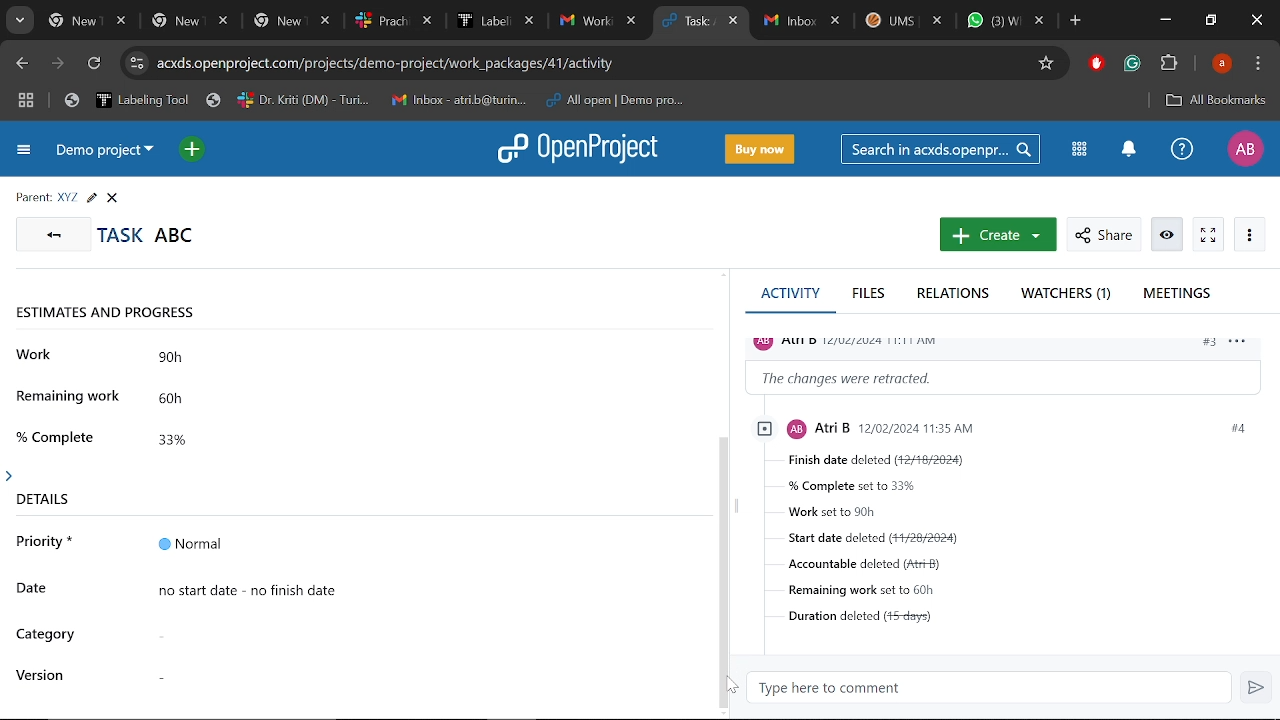 The height and width of the screenshot is (720, 1280). I want to click on Unwatch work package, so click(1169, 235).